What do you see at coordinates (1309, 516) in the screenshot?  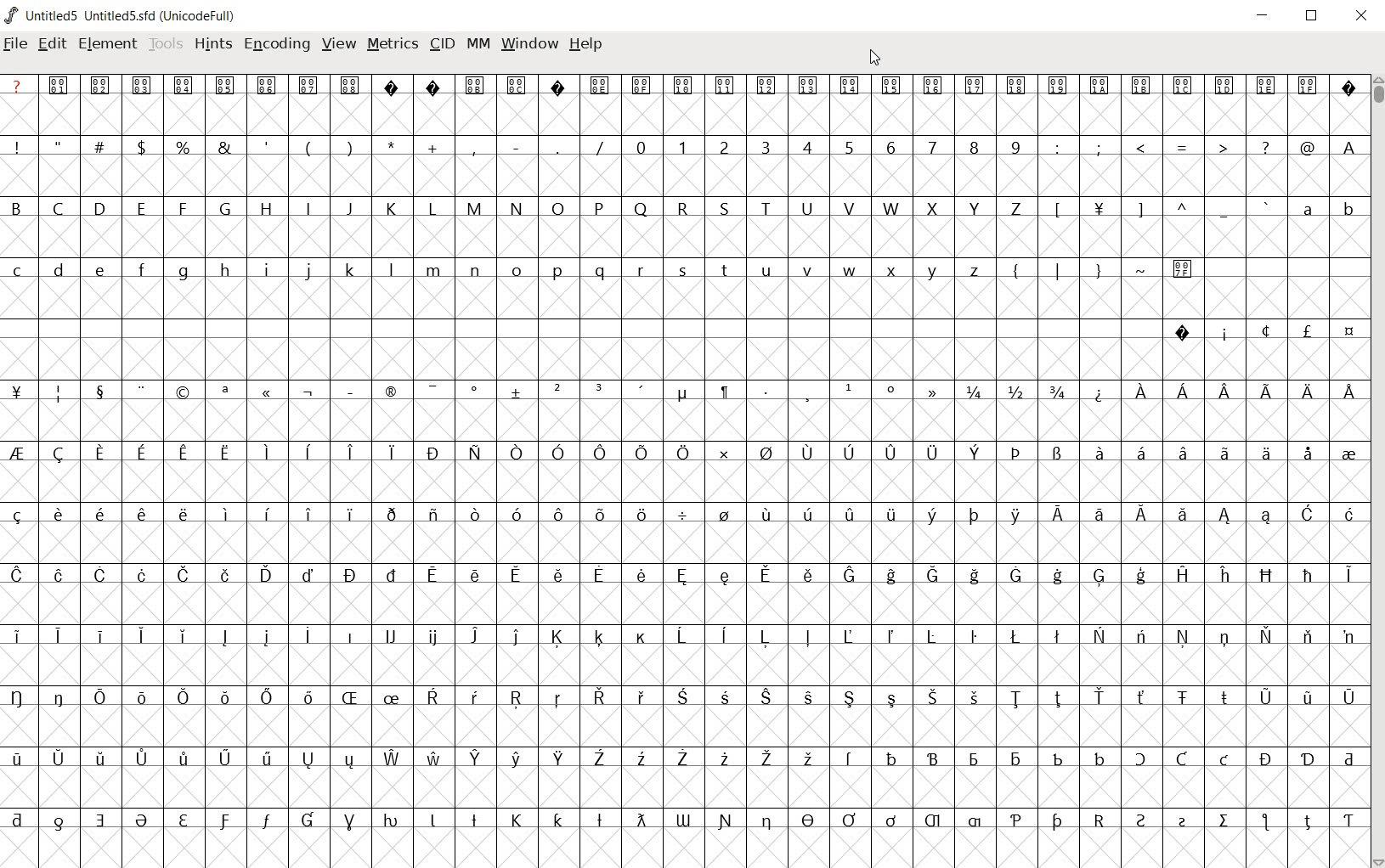 I see `Symbol` at bounding box center [1309, 516].